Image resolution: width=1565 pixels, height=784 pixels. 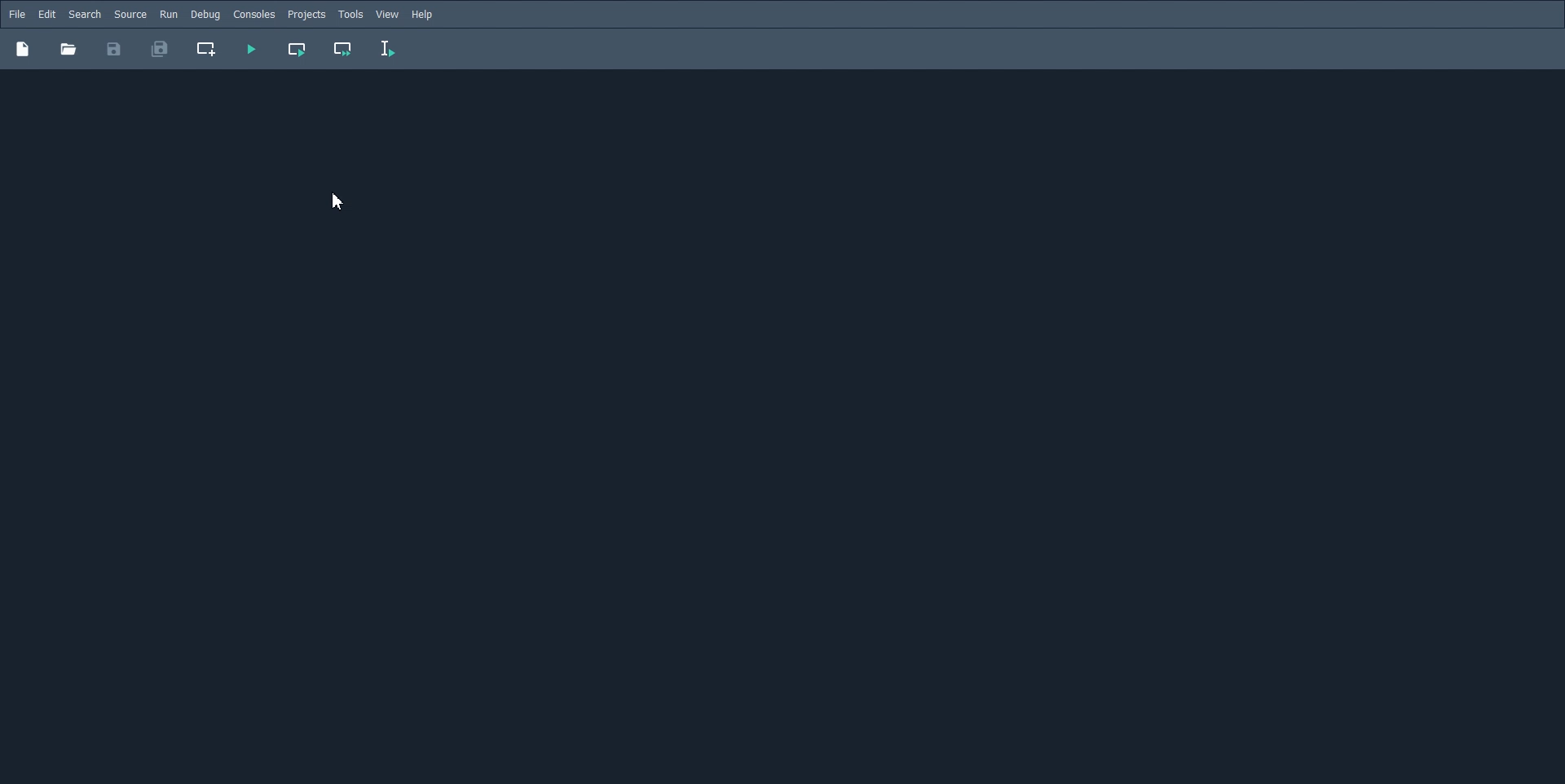 What do you see at coordinates (114, 49) in the screenshot?
I see `Save File` at bounding box center [114, 49].